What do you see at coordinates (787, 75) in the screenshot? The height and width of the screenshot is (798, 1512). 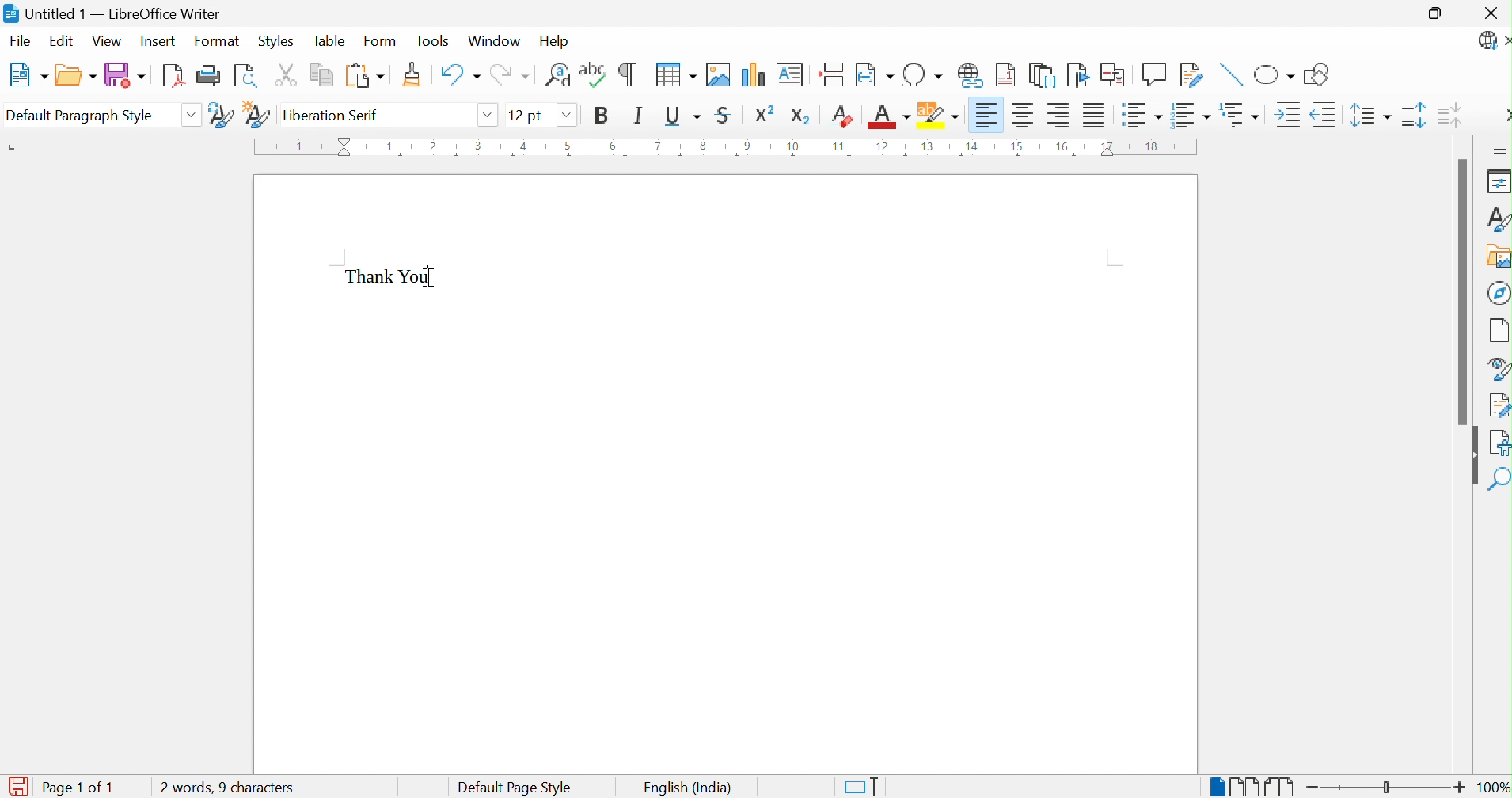 I see `Insert Text Box` at bounding box center [787, 75].